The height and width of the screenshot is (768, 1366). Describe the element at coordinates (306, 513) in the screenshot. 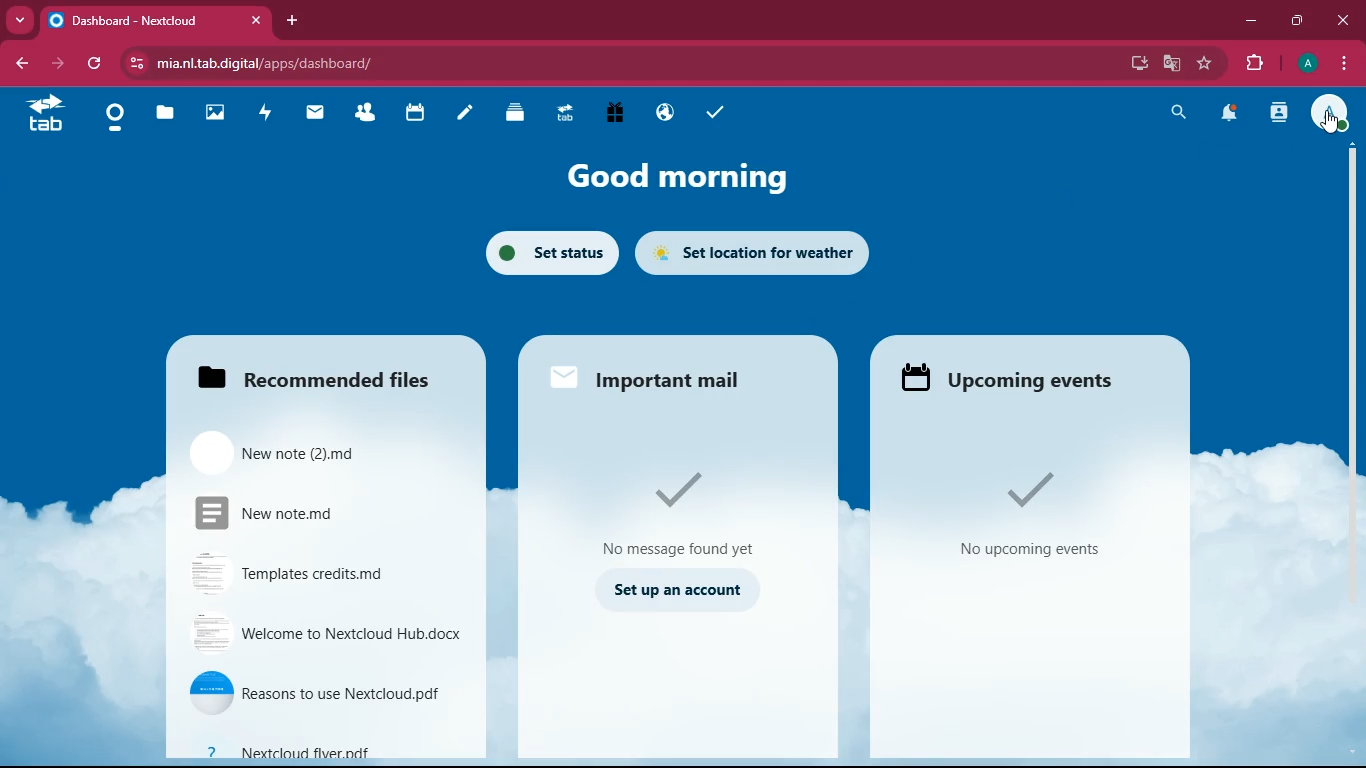

I see `file` at that location.